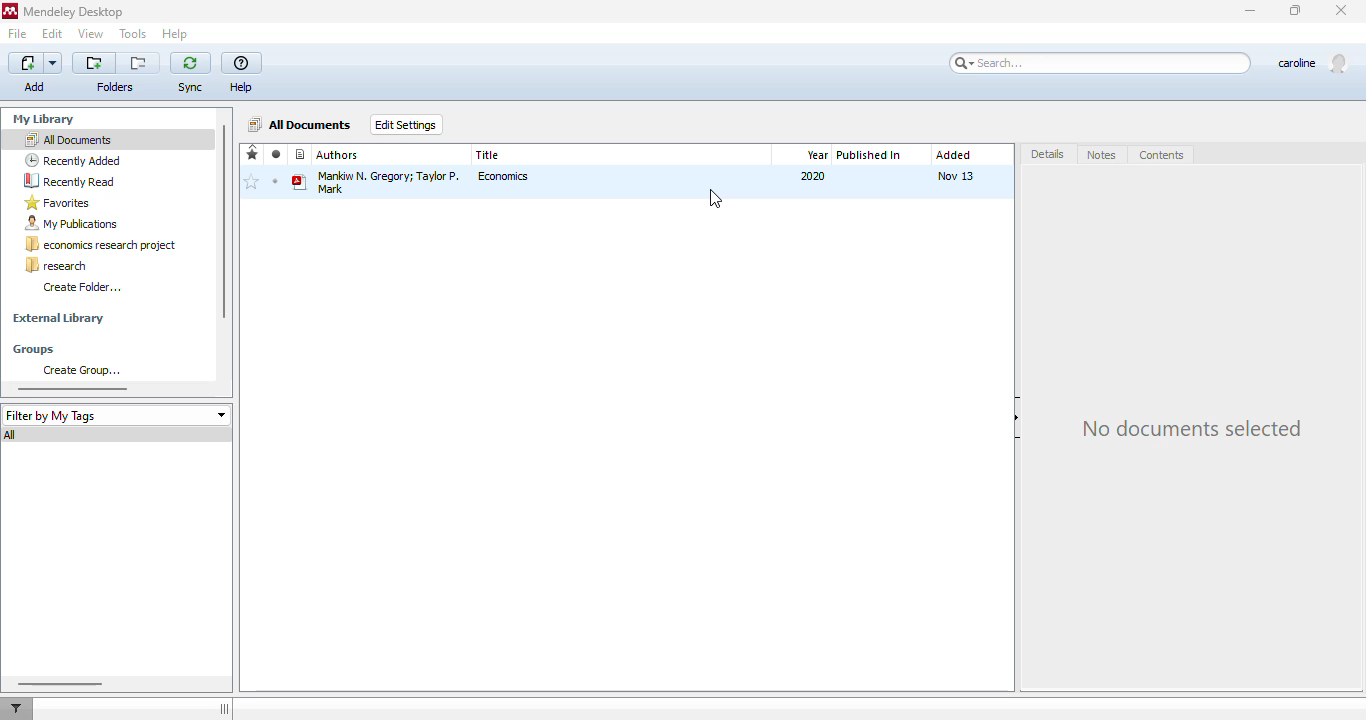  What do you see at coordinates (57, 203) in the screenshot?
I see `favorites` at bounding box center [57, 203].